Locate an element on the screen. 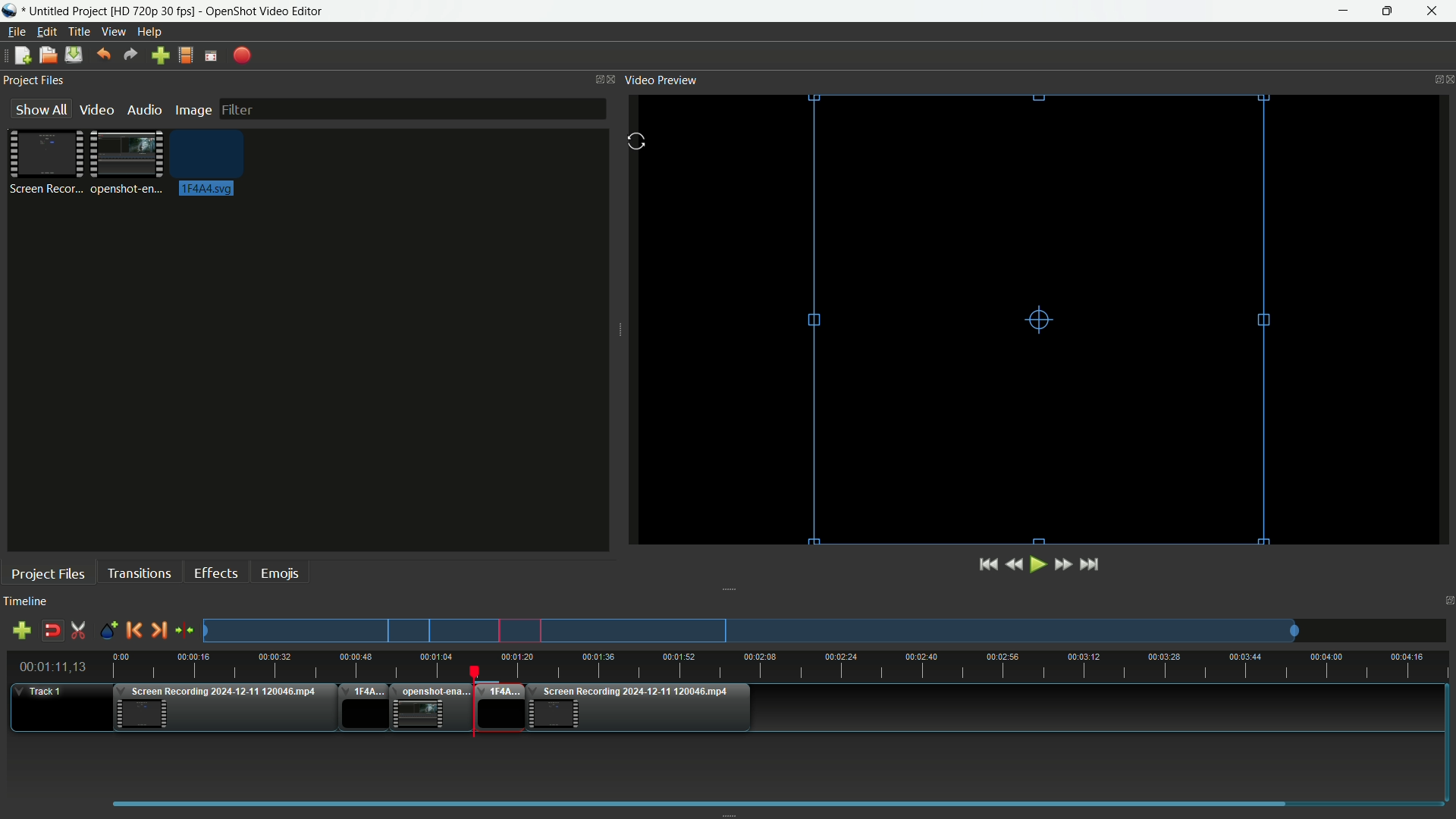 The image size is (1456, 819). close video preview is located at coordinates (1447, 78).